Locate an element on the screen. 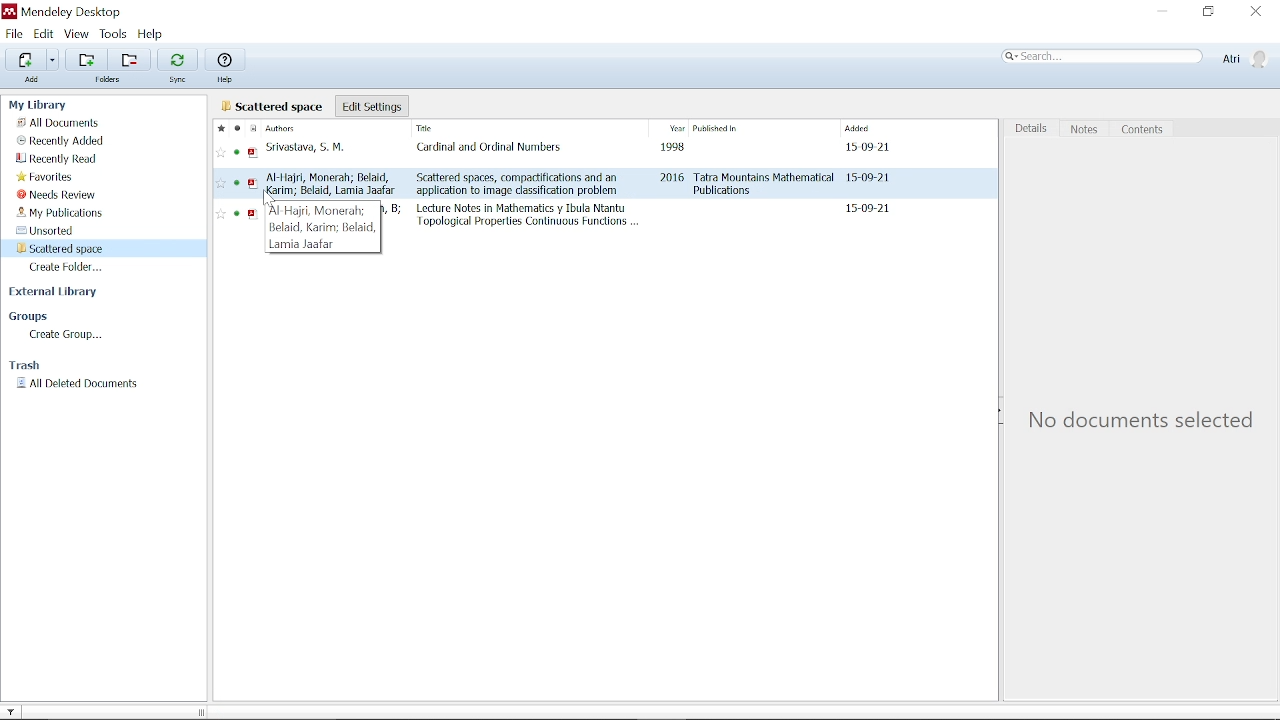   is located at coordinates (1038, 129).